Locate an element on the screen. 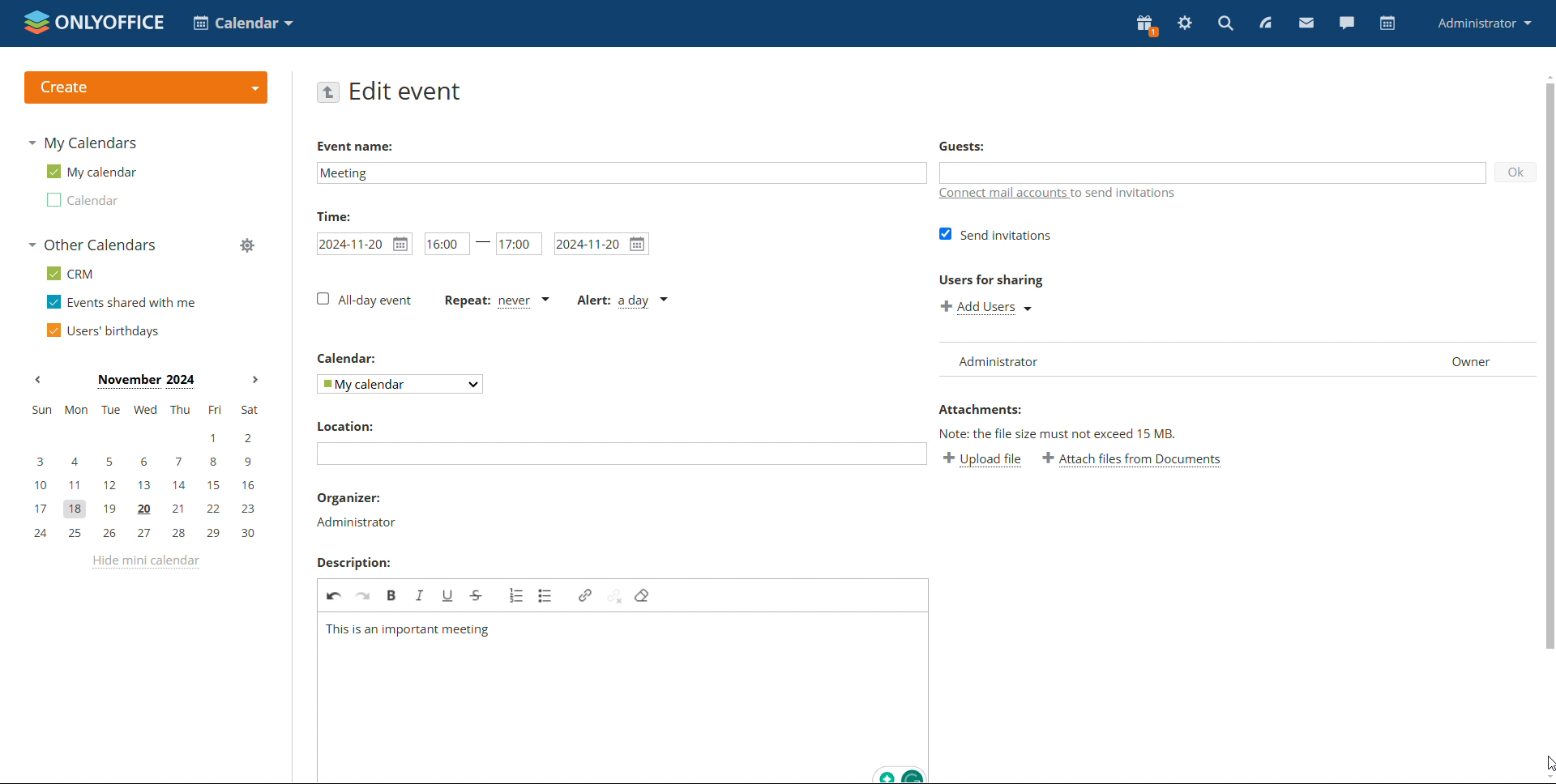 Image resolution: width=1556 pixels, height=784 pixels. hide mini calendar is located at coordinates (145, 562).